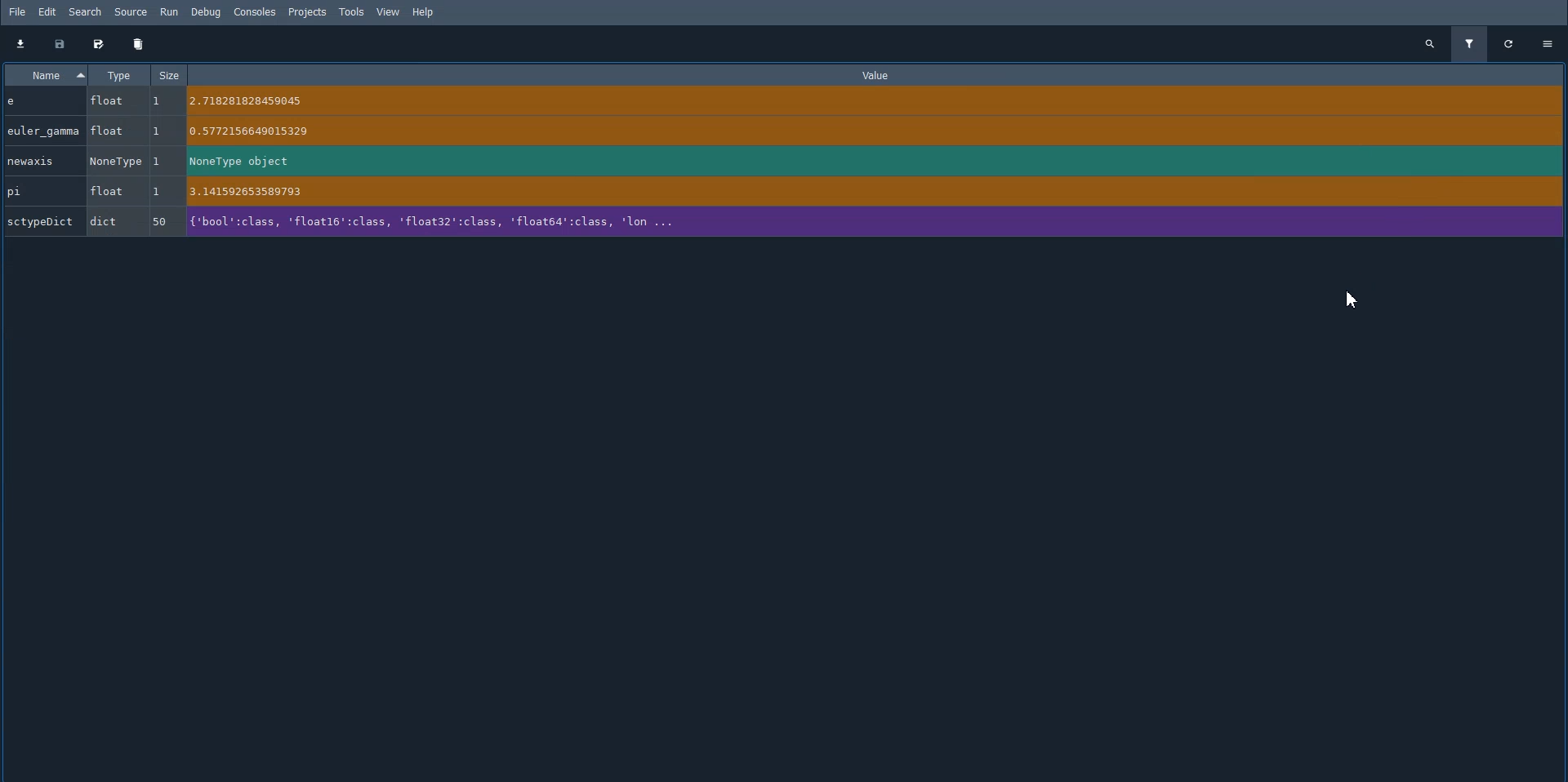 The height and width of the screenshot is (782, 1568). I want to click on e, so click(42, 102).